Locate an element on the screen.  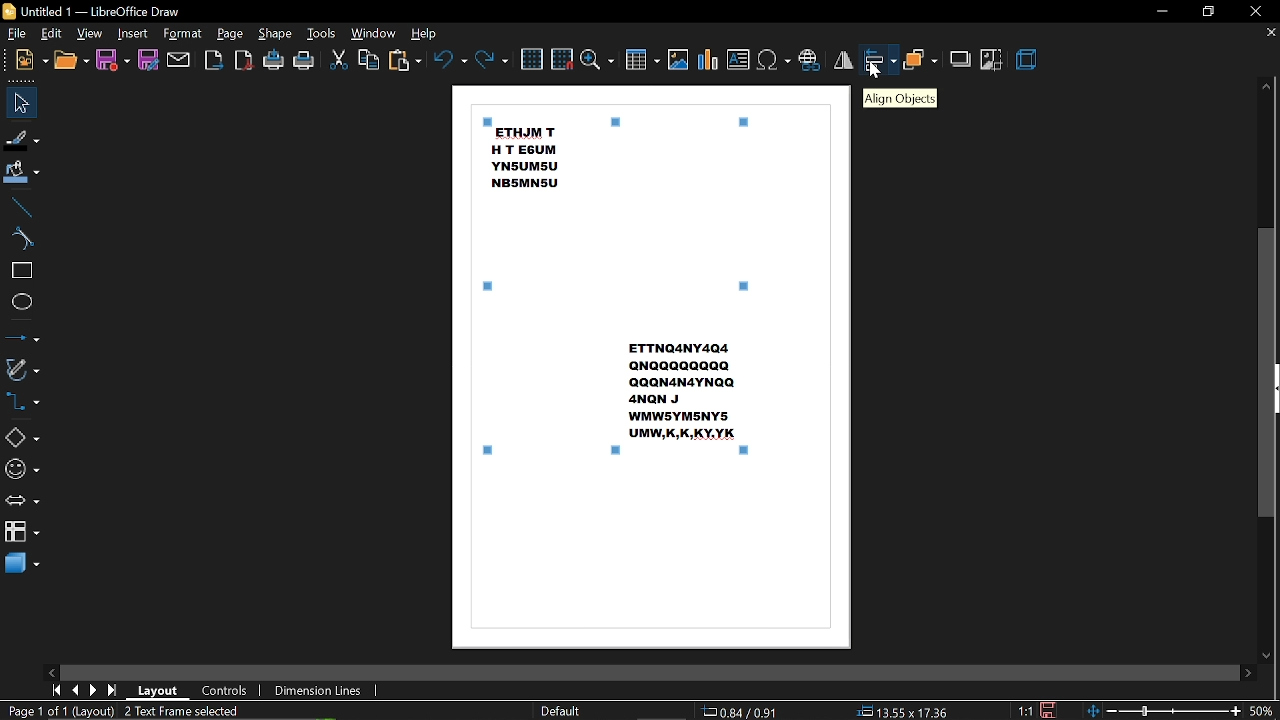
insert table is located at coordinates (643, 62).